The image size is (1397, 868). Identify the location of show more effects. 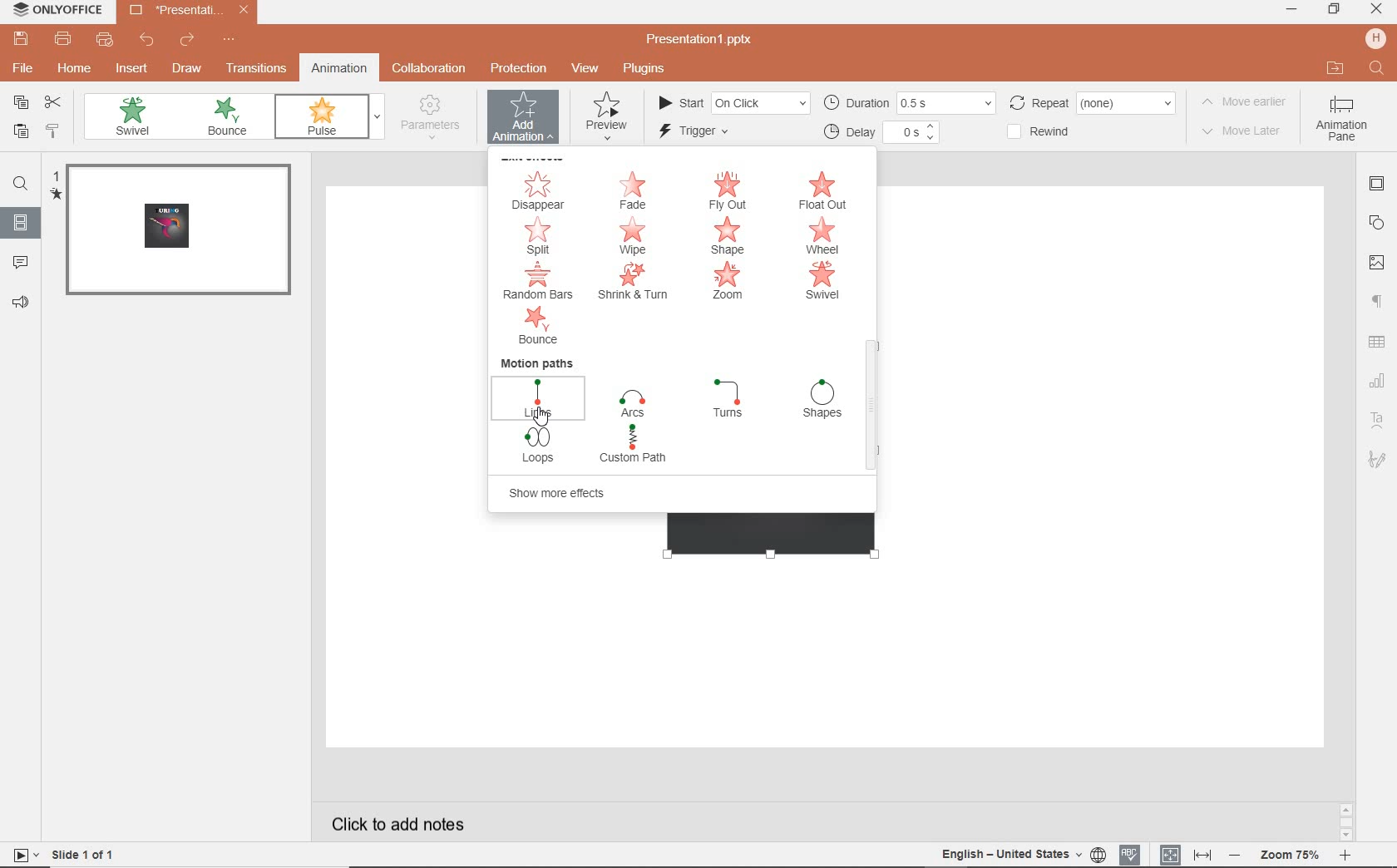
(566, 493).